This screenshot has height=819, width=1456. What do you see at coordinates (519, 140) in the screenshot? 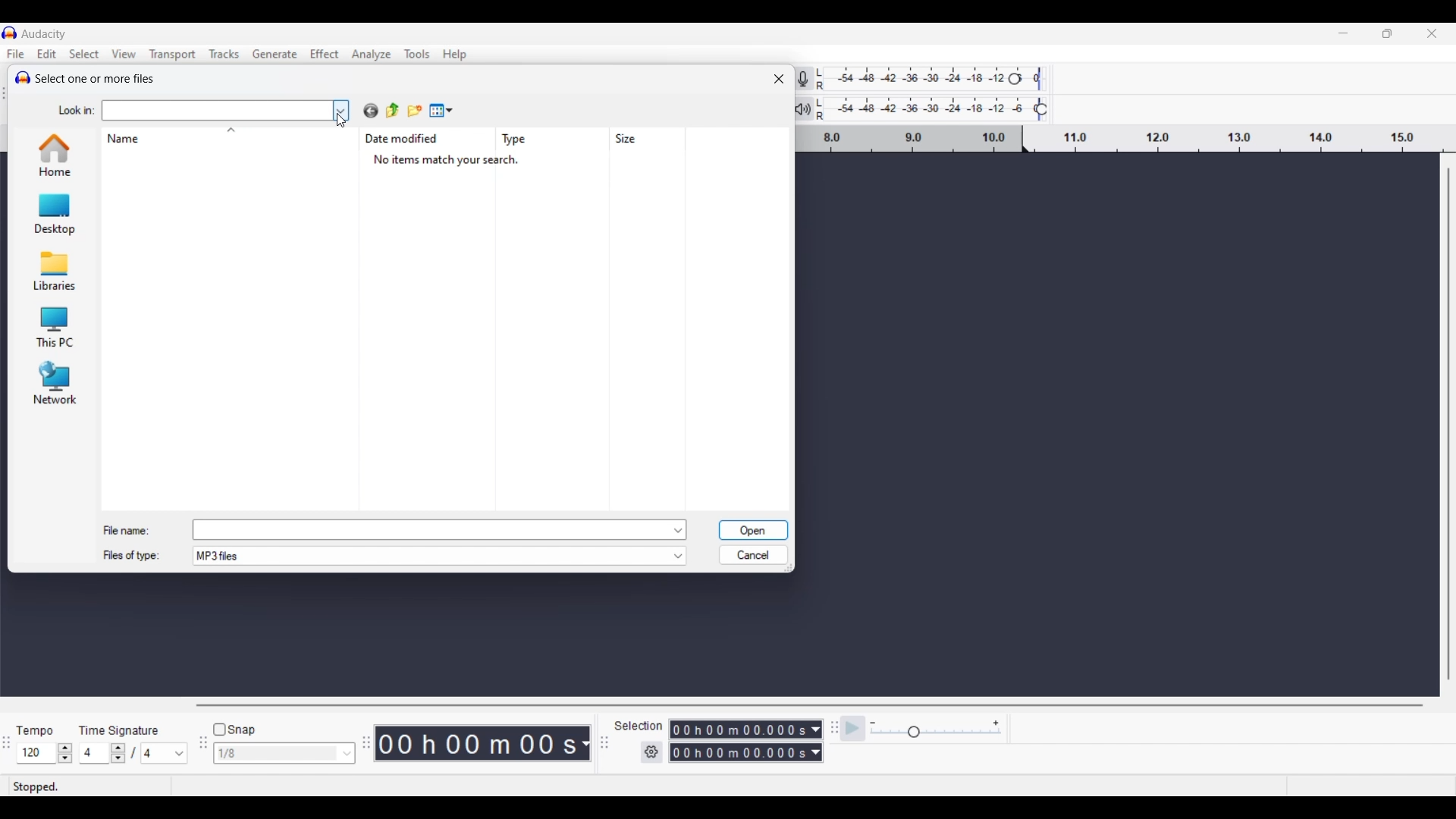
I see `Type column` at bounding box center [519, 140].